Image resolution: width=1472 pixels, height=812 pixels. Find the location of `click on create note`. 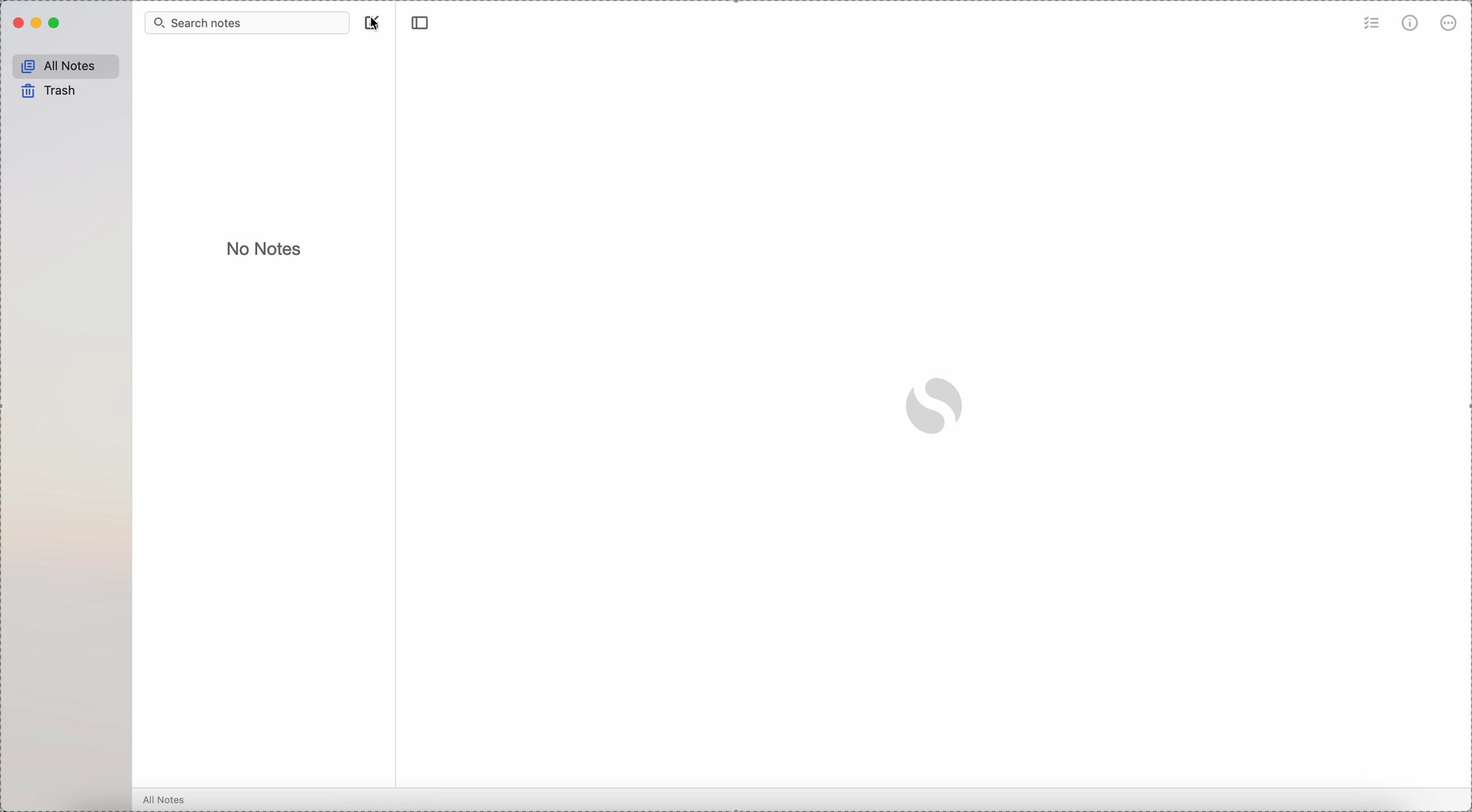

click on create note is located at coordinates (374, 23).